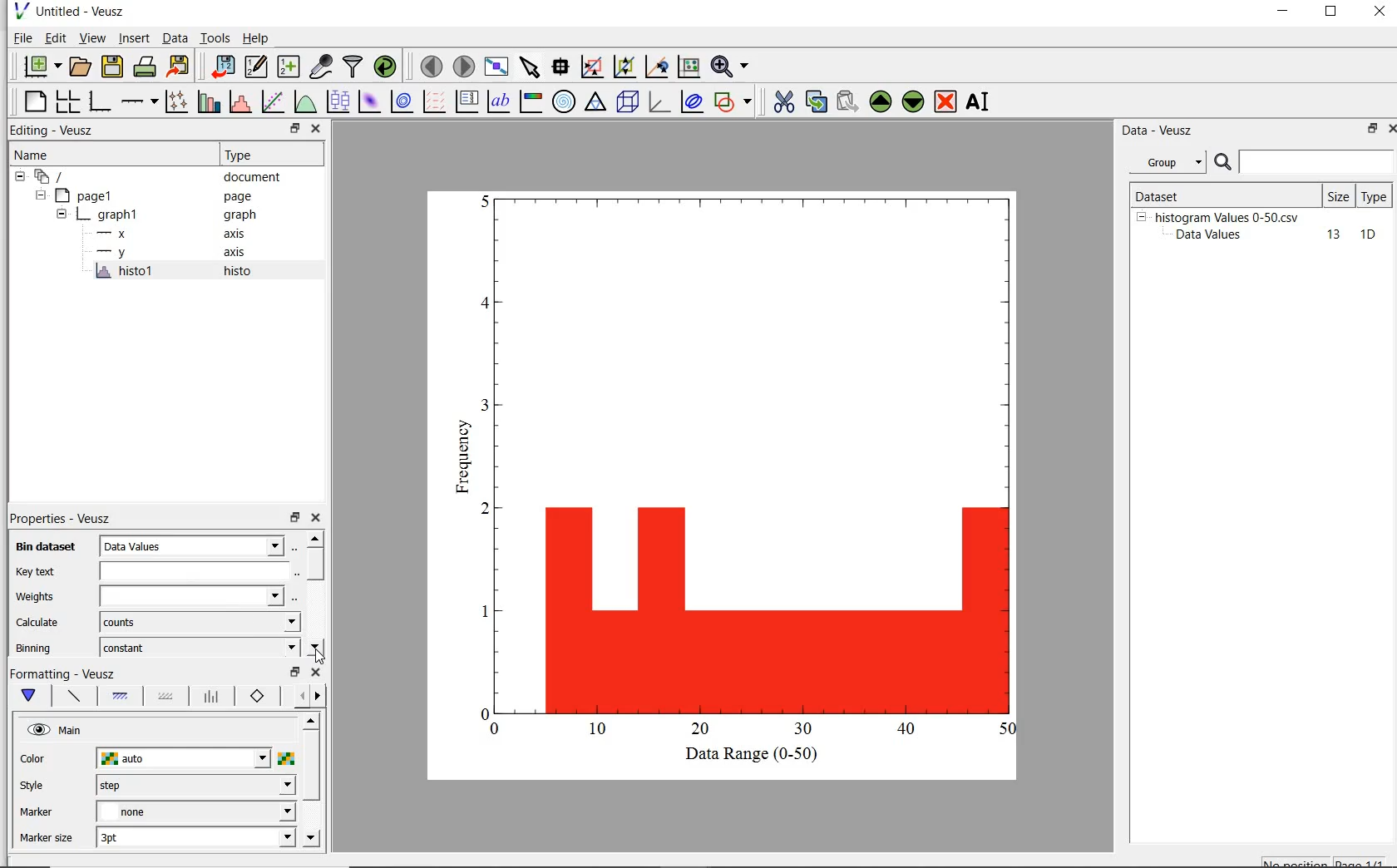 Image resolution: width=1397 pixels, height=868 pixels. Describe the element at coordinates (175, 37) in the screenshot. I see `Data` at that location.